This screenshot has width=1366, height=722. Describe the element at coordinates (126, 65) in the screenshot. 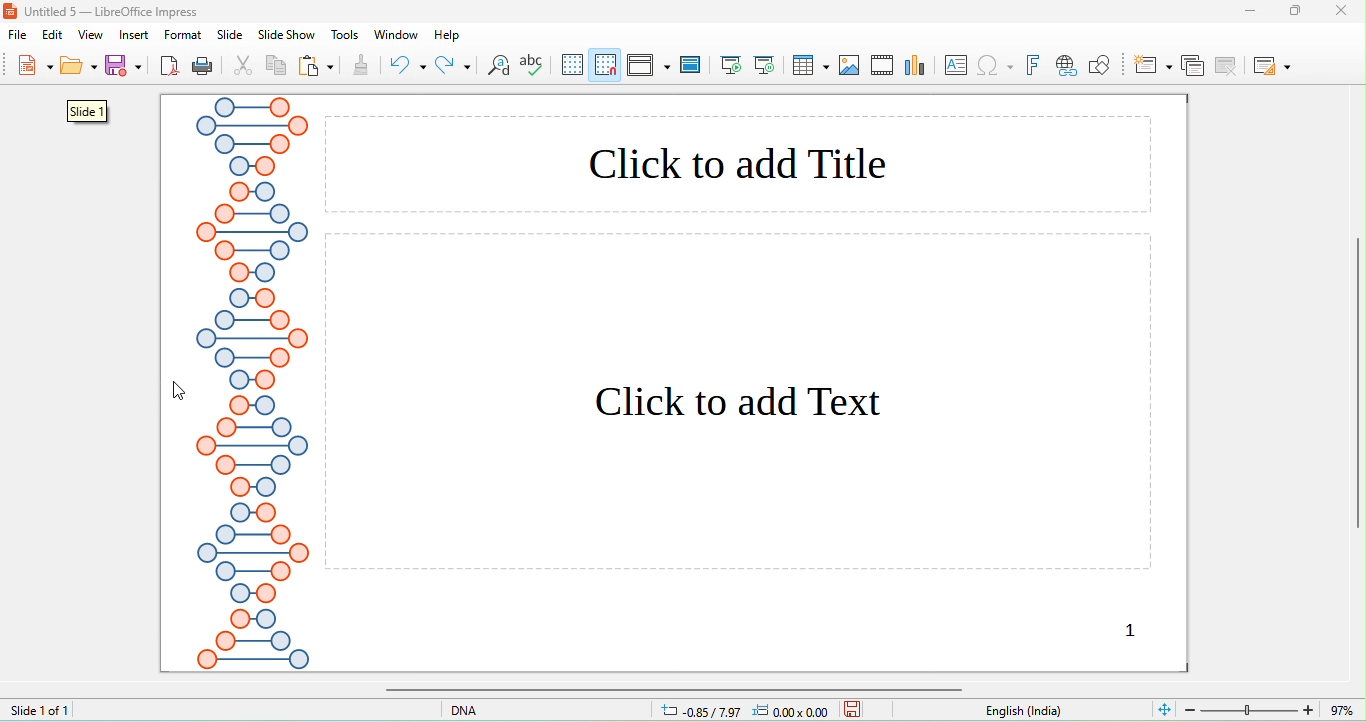

I see `save` at that location.